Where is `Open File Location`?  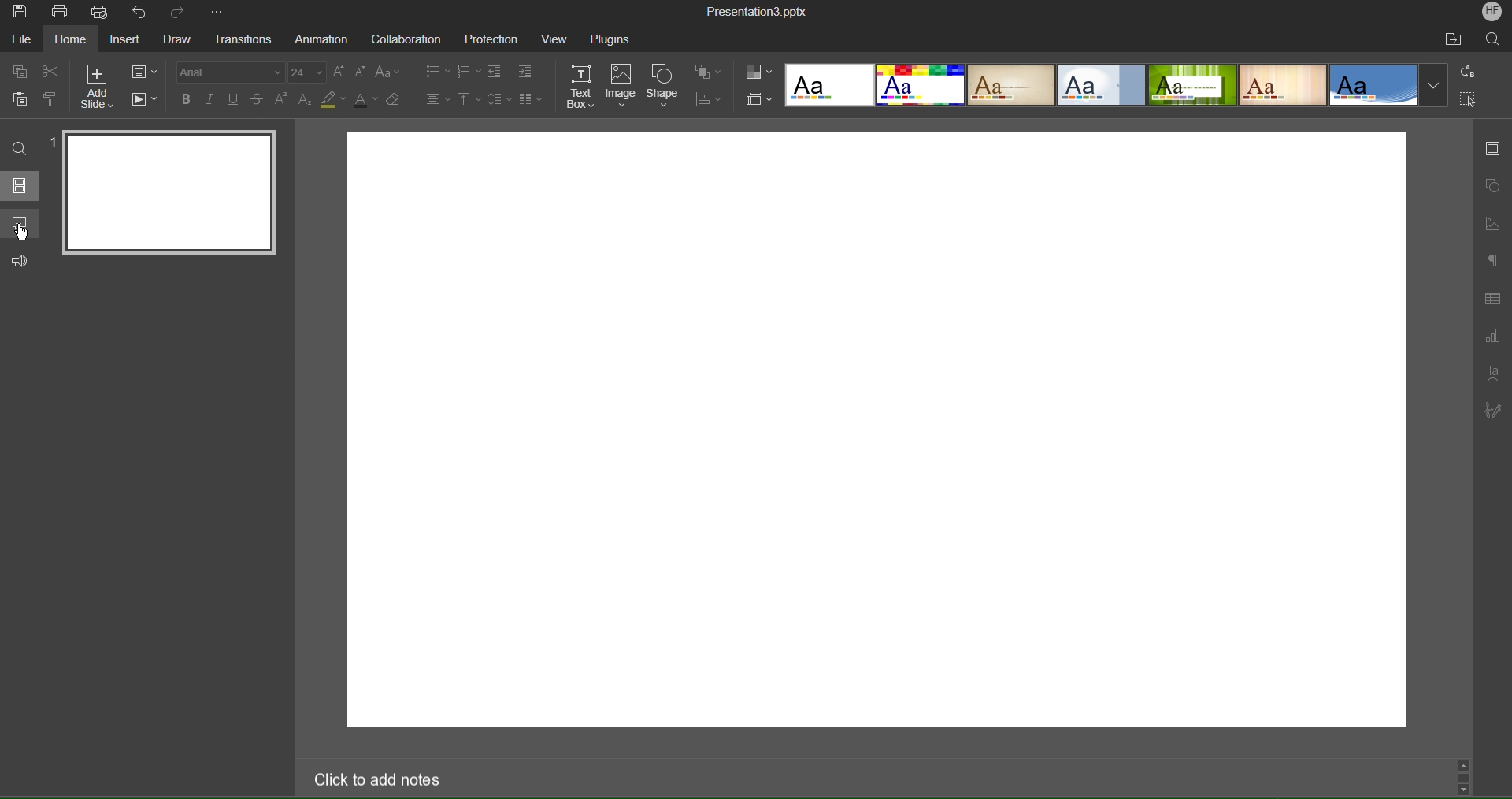 Open File Location is located at coordinates (1453, 40).